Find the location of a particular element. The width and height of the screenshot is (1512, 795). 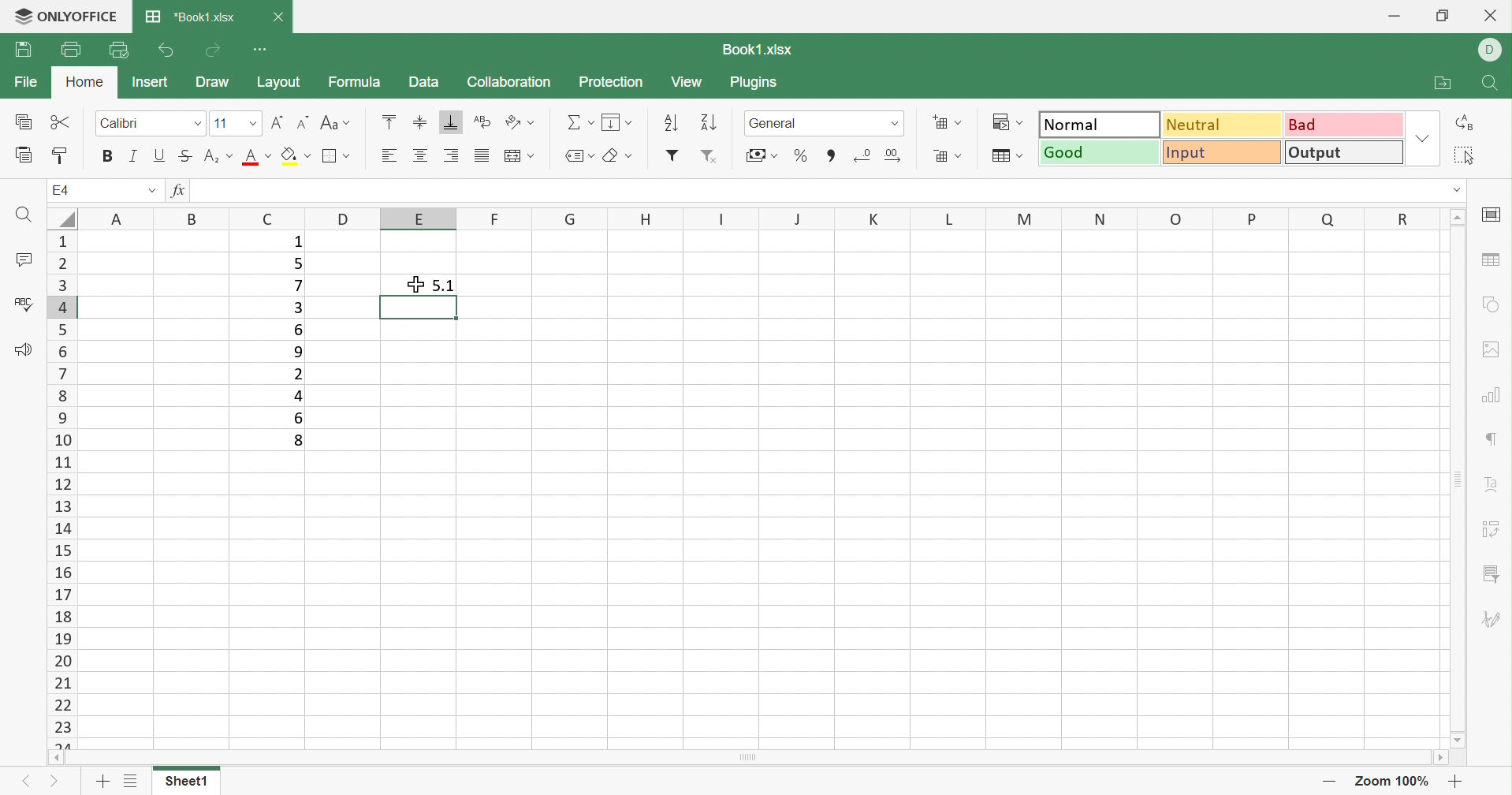

5.1 is located at coordinates (445, 286).